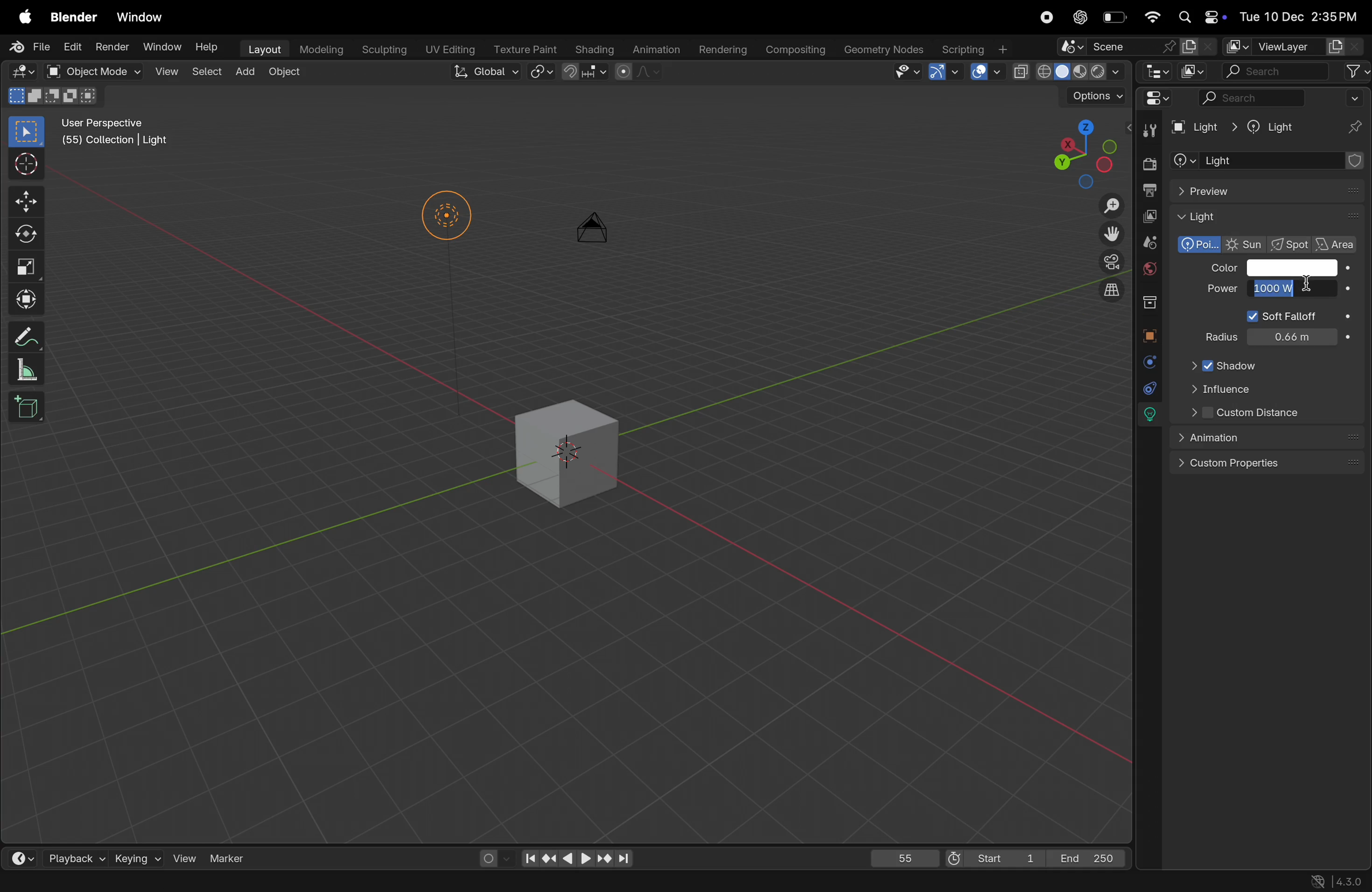  What do you see at coordinates (1272, 127) in the screenshot?
I see `Light` at bounding box center [1272, 127].